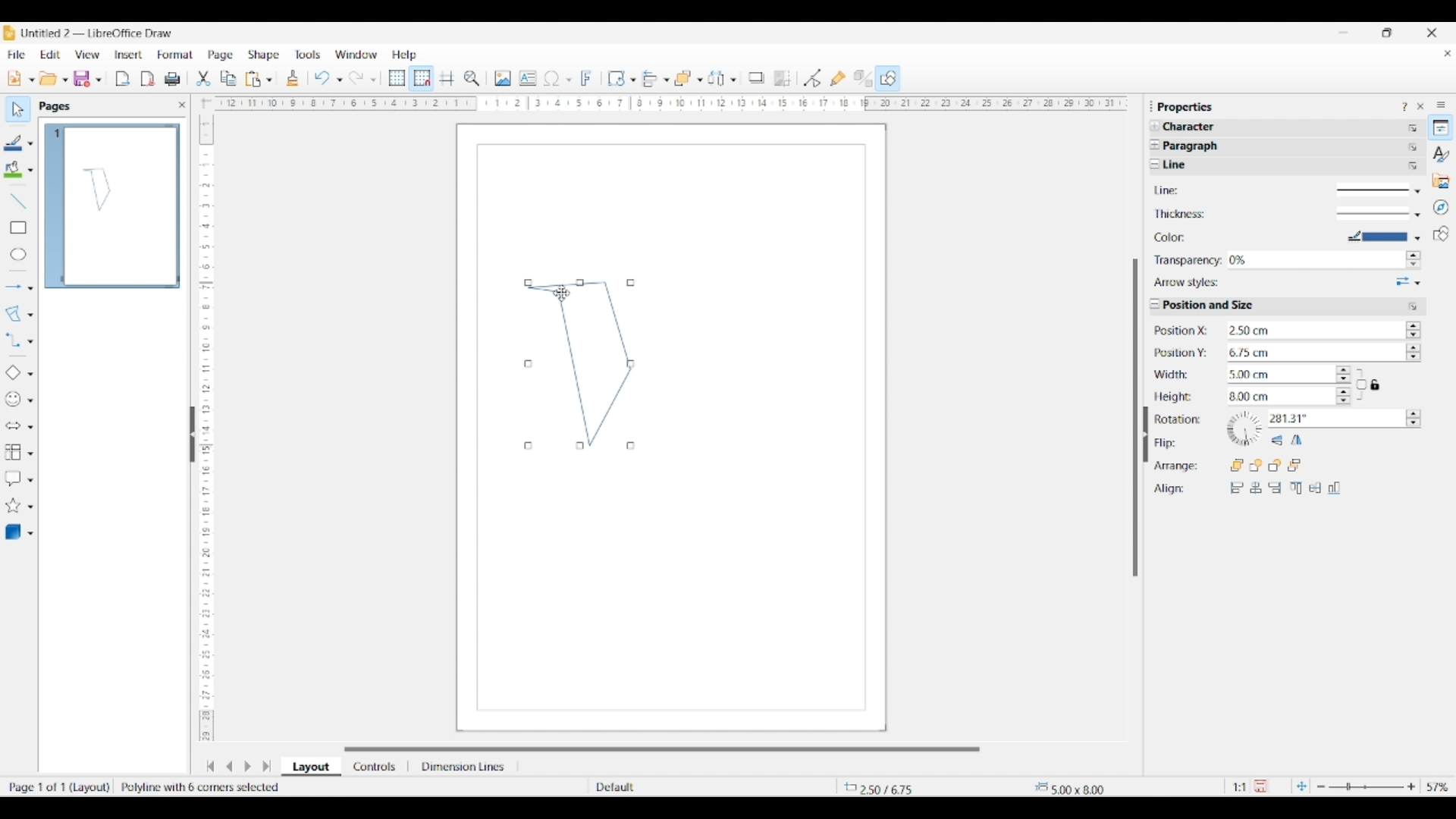 The height and width of the screenshot is (819, 1456). Describe the element at coordinates (83, 78) in the screenshot. I see `Selected save option` at that location.